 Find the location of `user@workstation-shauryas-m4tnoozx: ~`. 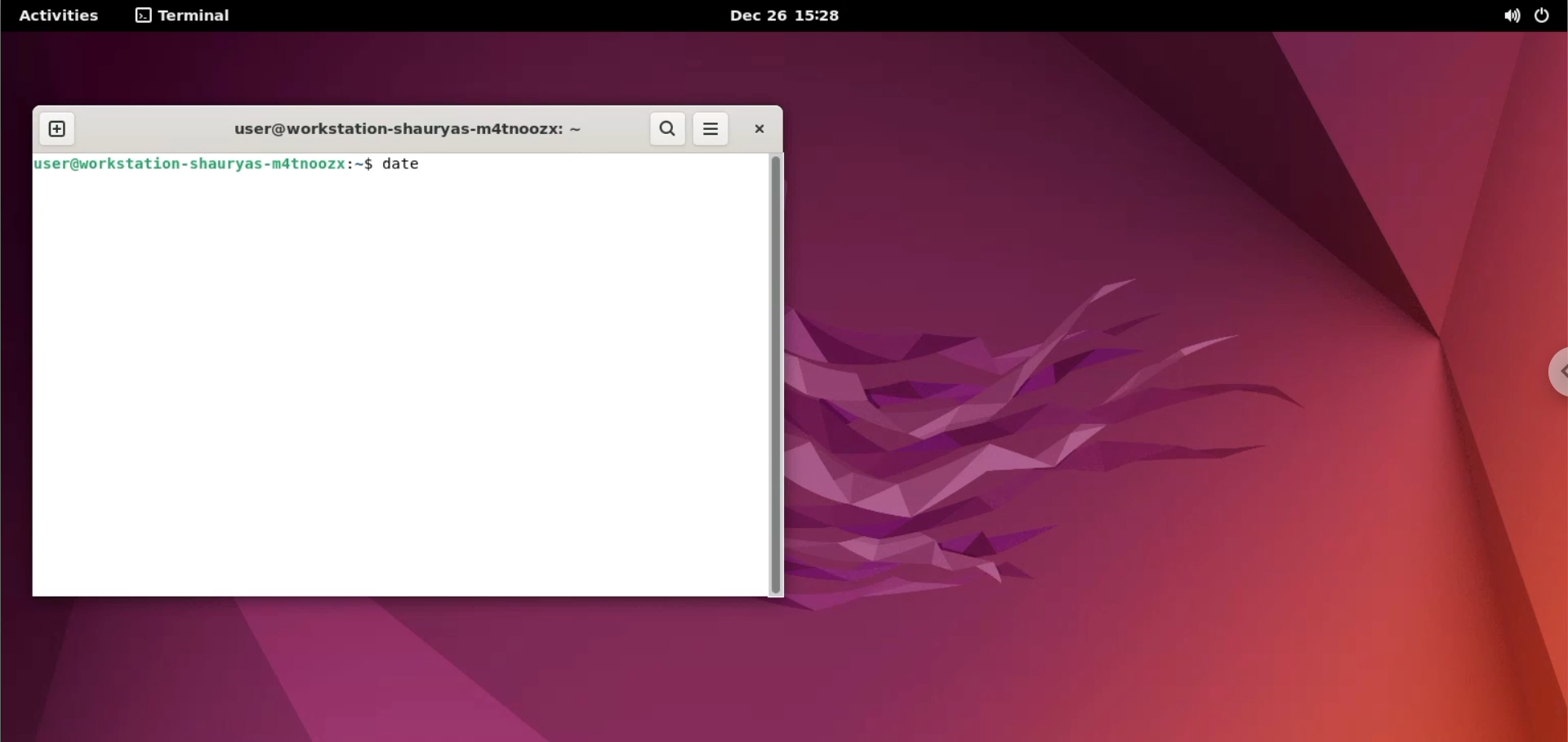

user@workstation-shauryas-m4tnoozx: ~ is located at coordinates (401, 130).